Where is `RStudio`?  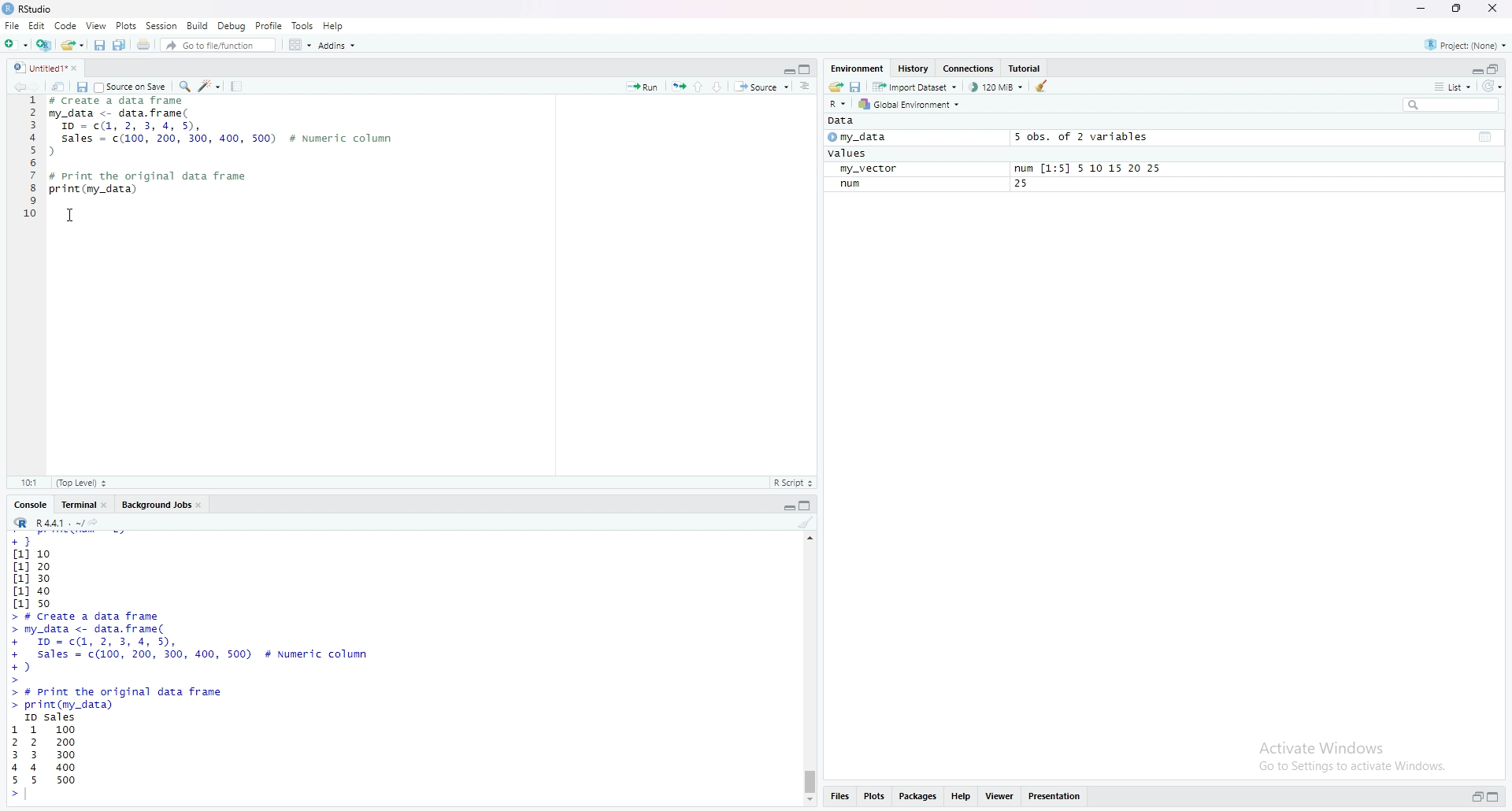
RStudio is located at coordinates (69, 9).